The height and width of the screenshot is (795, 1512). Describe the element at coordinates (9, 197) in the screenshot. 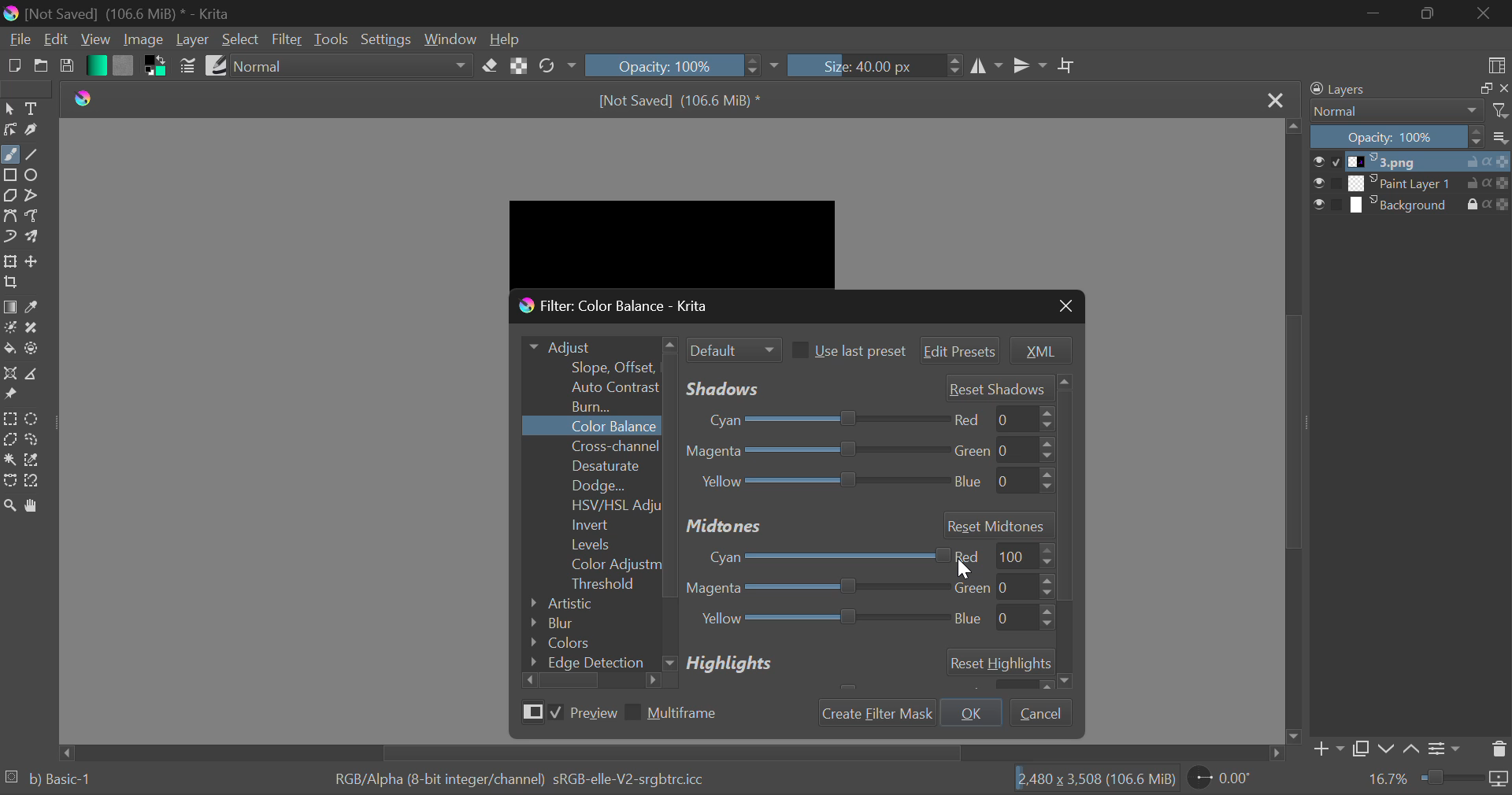

I see `Polygons` at that location.